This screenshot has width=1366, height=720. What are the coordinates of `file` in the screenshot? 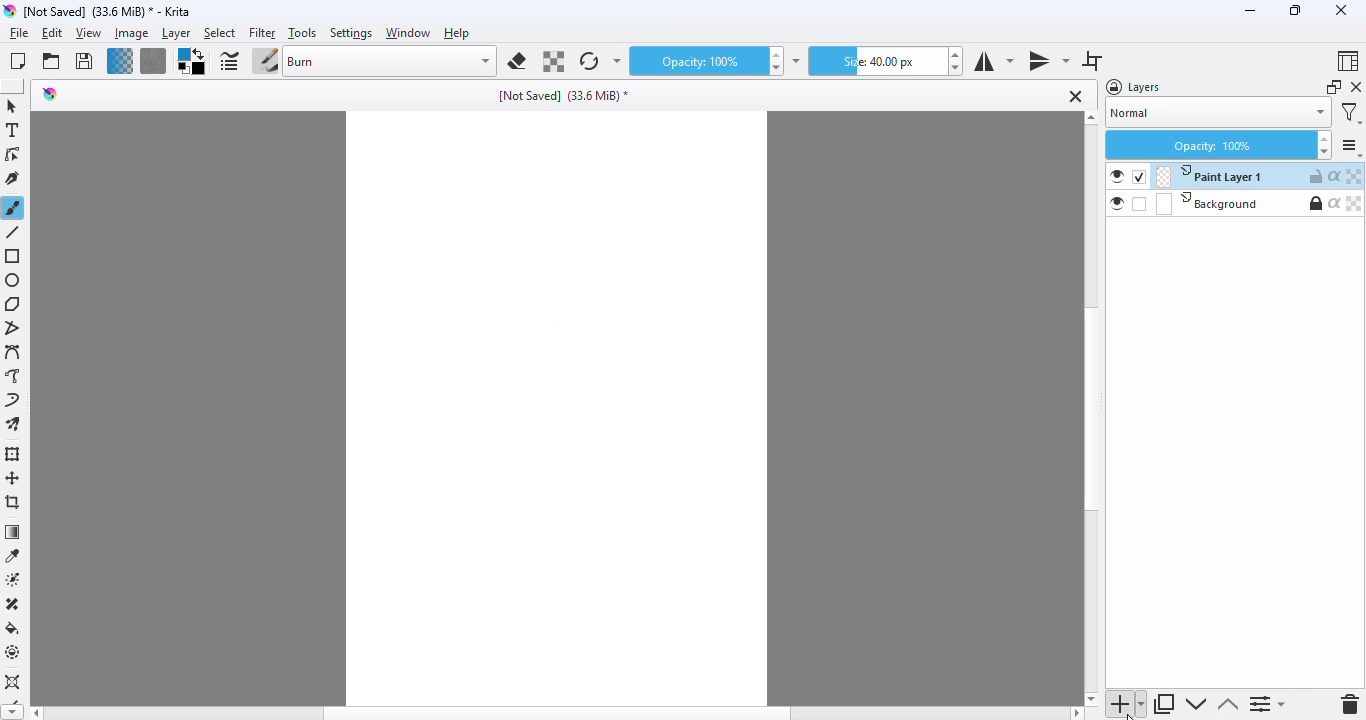 It's located at (19, 33).